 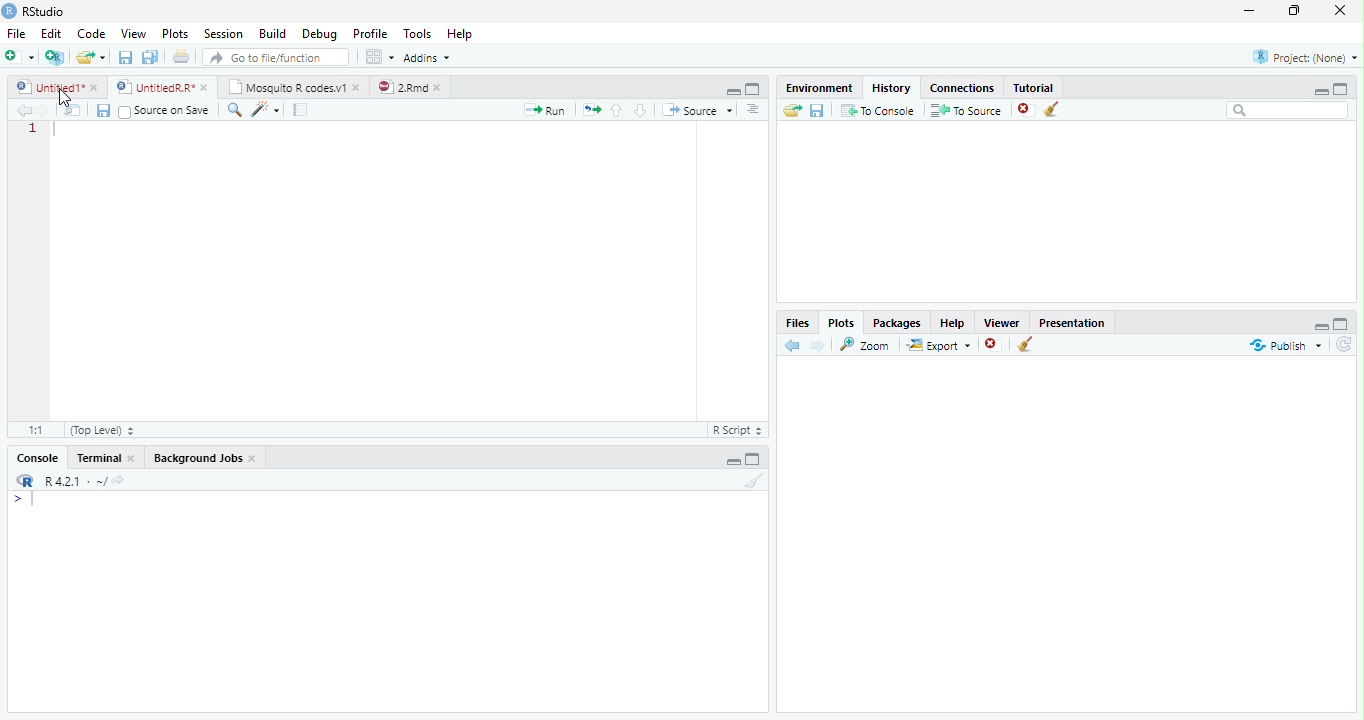 What do you see at coordinates (995, 345) in the screenshot?
I see `Remove selected` at bounding box center [995, 345].